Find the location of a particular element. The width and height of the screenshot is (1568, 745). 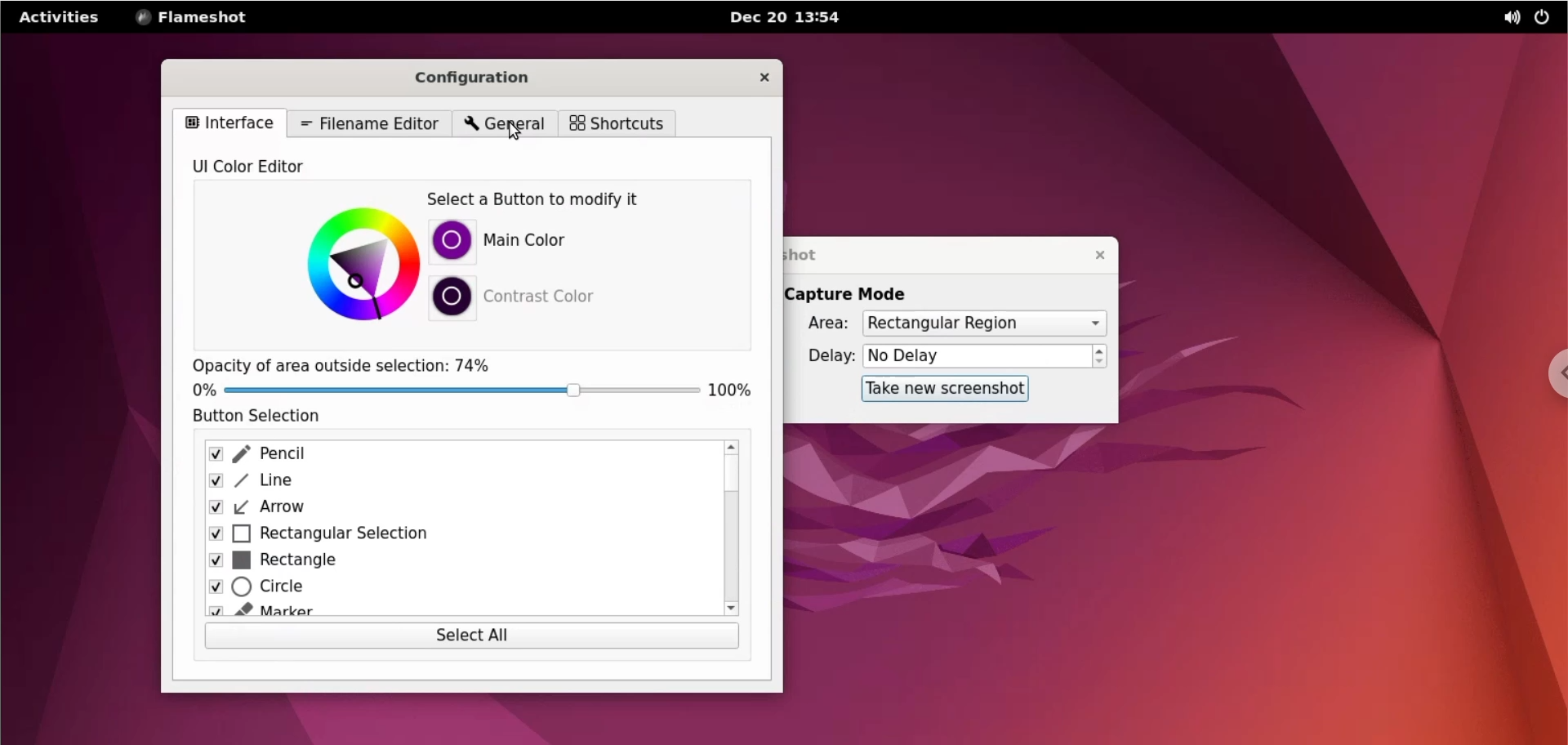

scrollbar is located at coordinates (729, 527).